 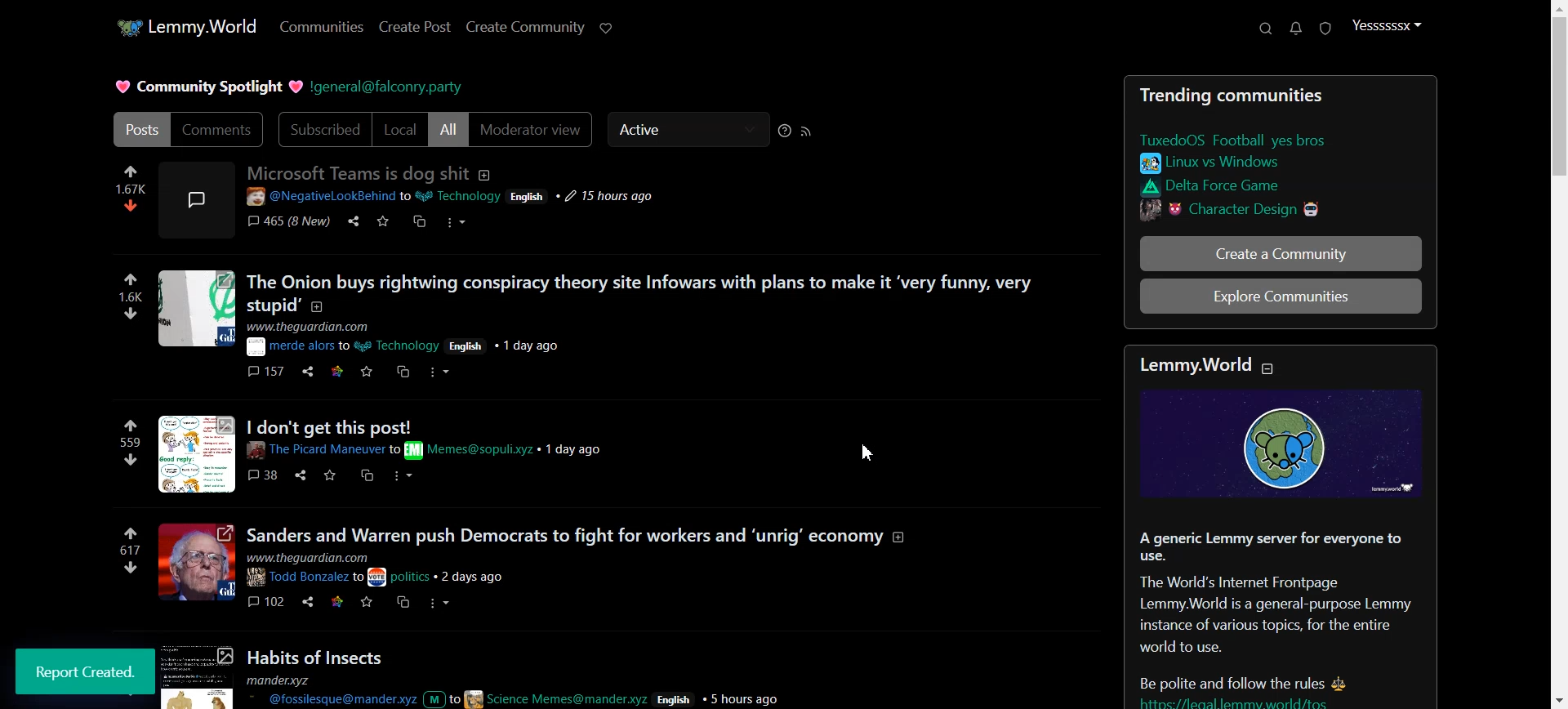 What do you see at coordinates (1325, 29) in the screenshot?
I see `Unread Report` at bounding box center [1325, 29].